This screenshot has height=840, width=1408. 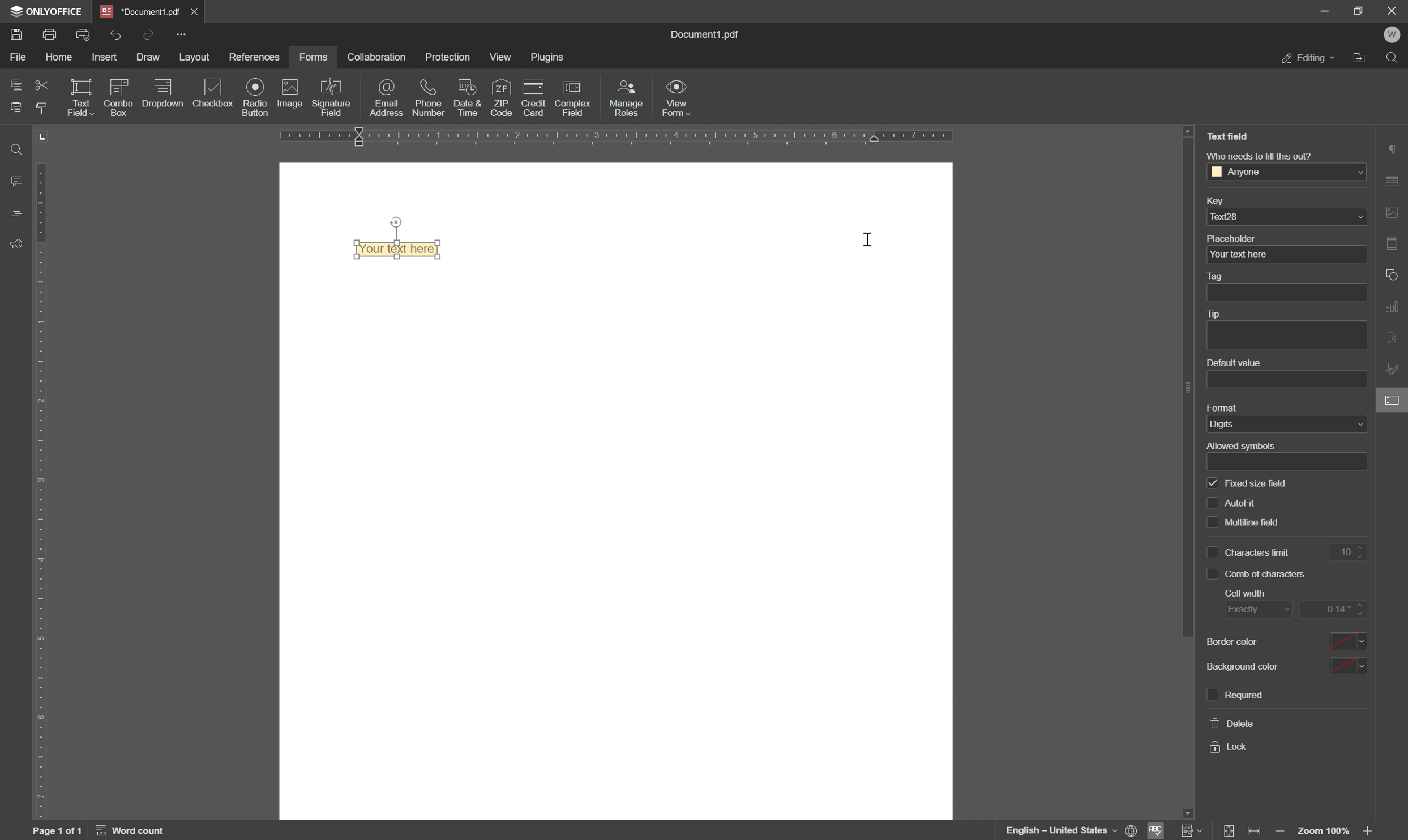 I want to click on fit to width, so click(x=1257, y=831).